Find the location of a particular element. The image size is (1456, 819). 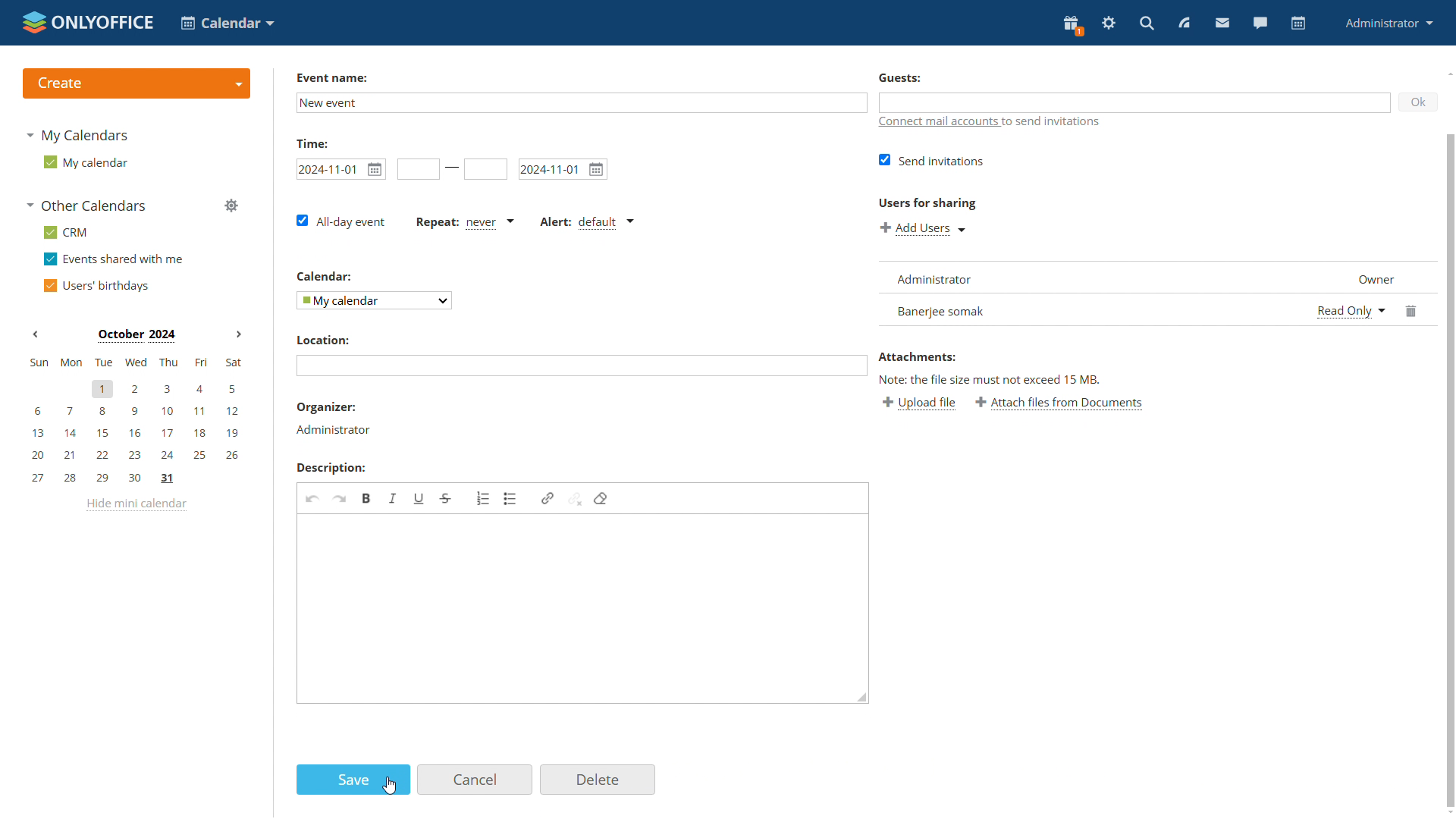

talk is located at coordinates (1262, 24).